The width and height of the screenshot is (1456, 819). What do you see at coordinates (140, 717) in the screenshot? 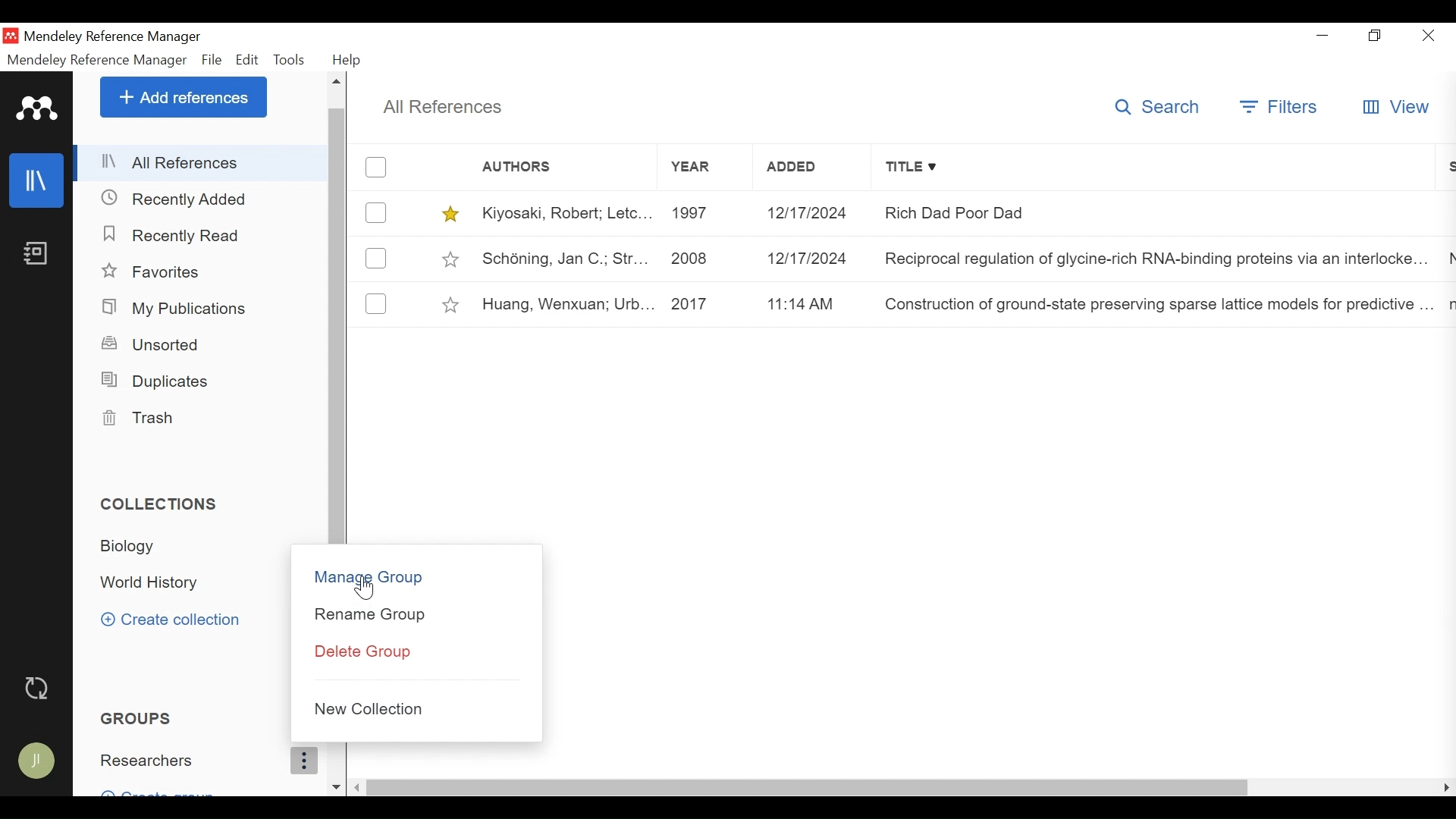
I see `Groups` at bounding box center [140, 717].